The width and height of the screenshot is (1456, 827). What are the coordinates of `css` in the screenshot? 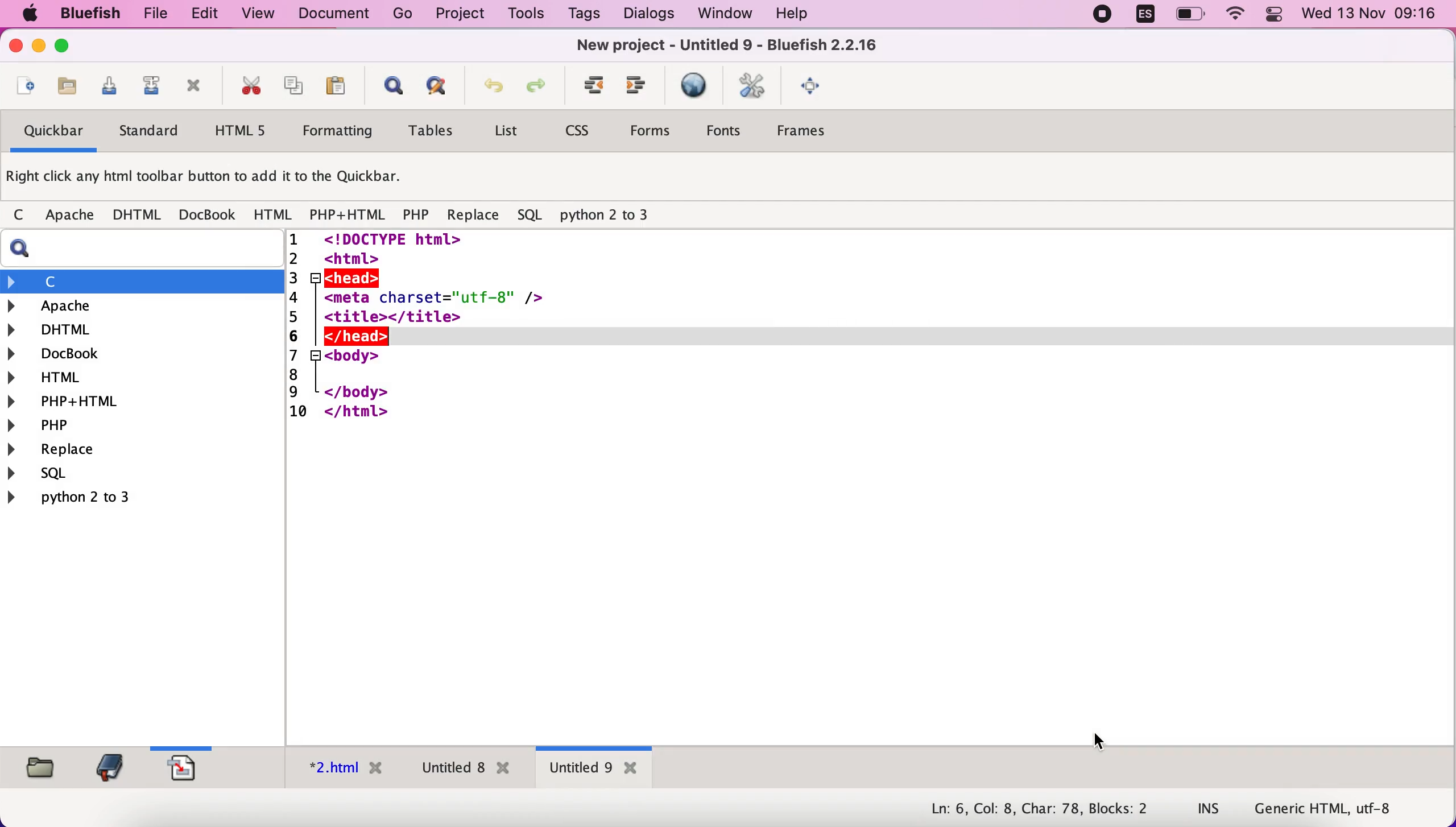 It's located at (581, 134).